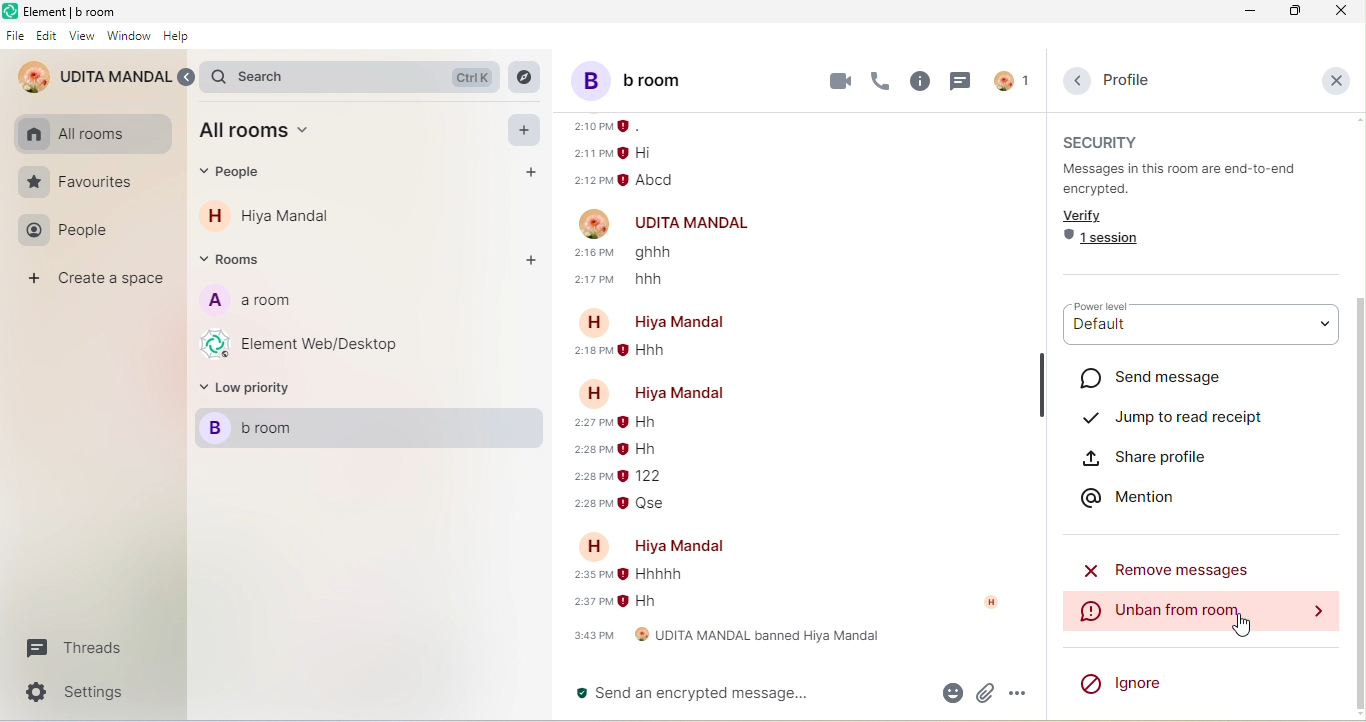 The height and width of the screenshot is (722, 1366). Describe the element at coordinates (881, 82) in the screenshot. I see `voice call` at that location.